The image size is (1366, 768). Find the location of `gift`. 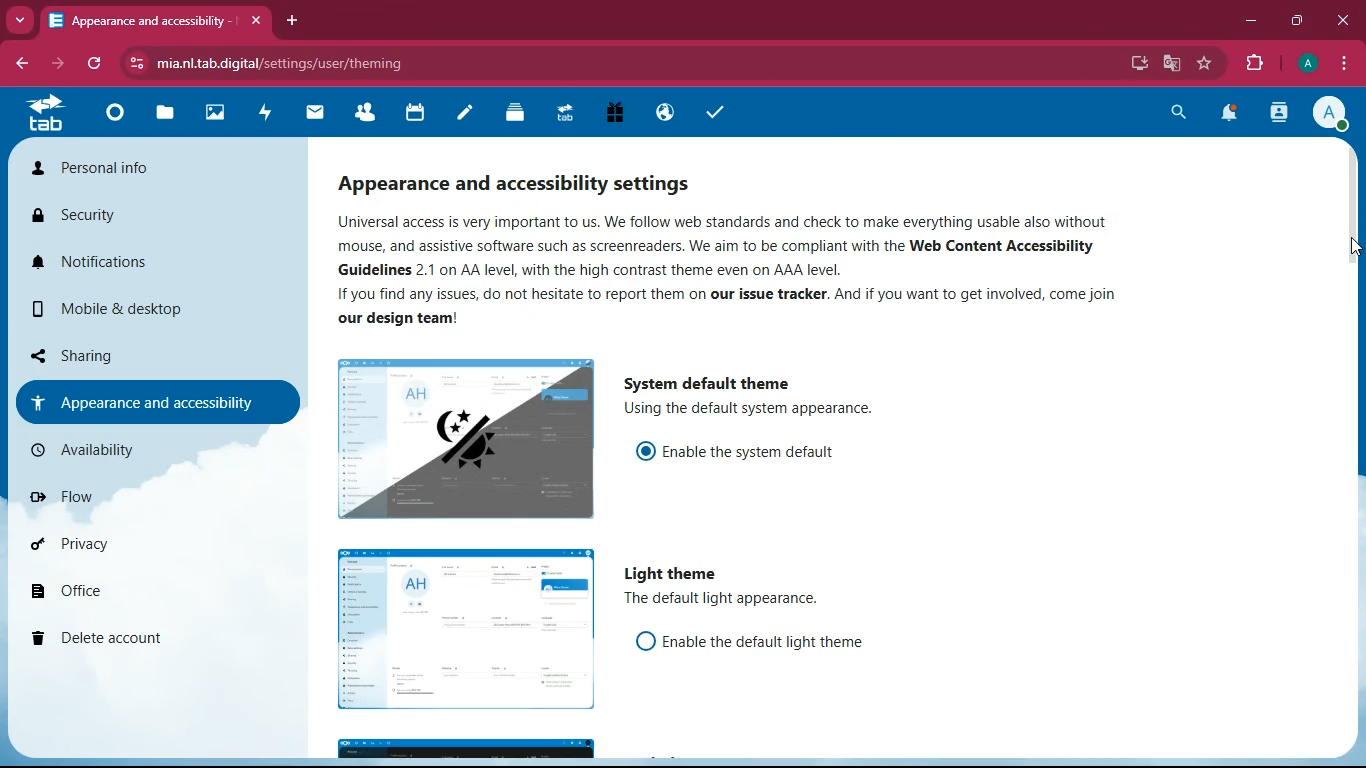

gift is located at coordinates (614, 112).